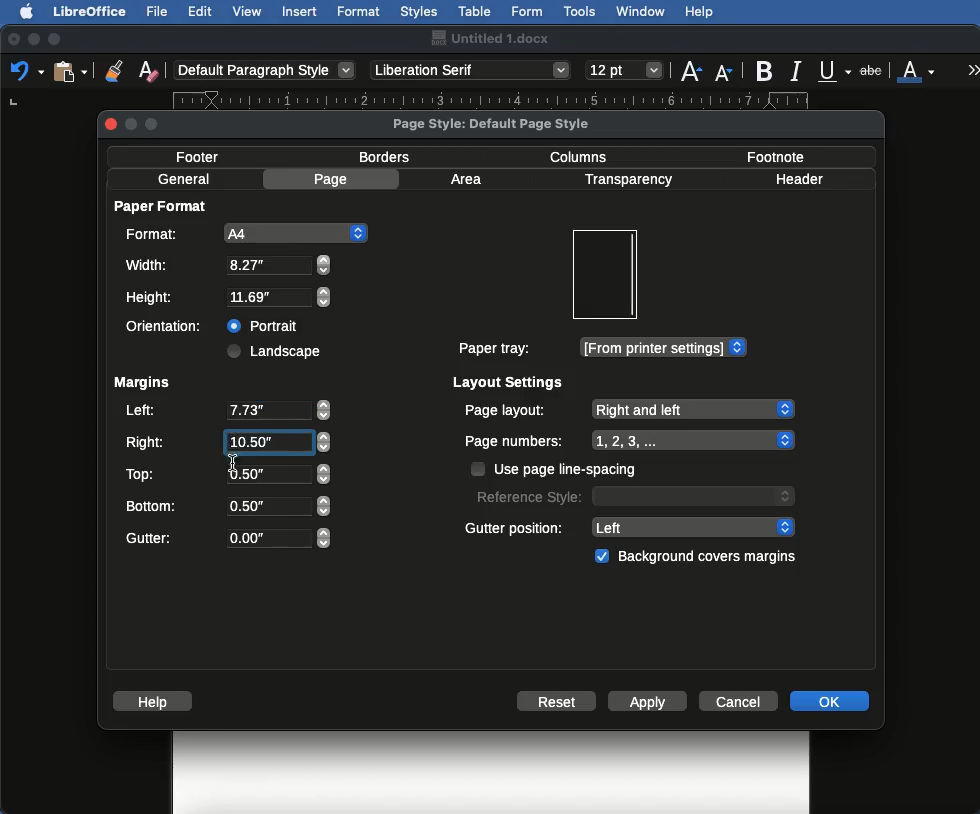 The height and width of the screenshot is (814, 980). I want to click on Left, so click(226, 412).